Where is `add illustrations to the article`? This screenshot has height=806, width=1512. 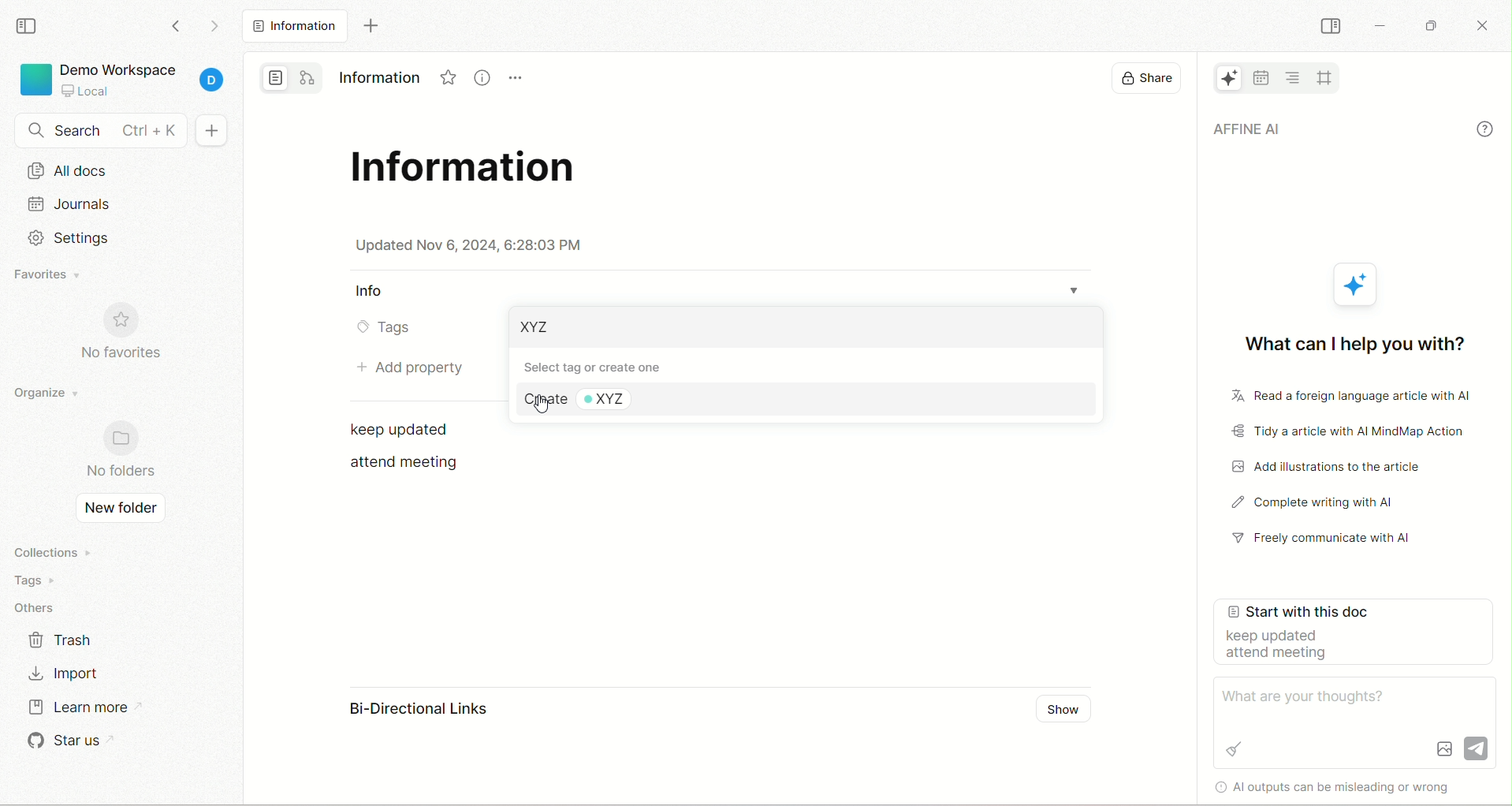 add illustrations to the article is located at coordinates (1335, 467).